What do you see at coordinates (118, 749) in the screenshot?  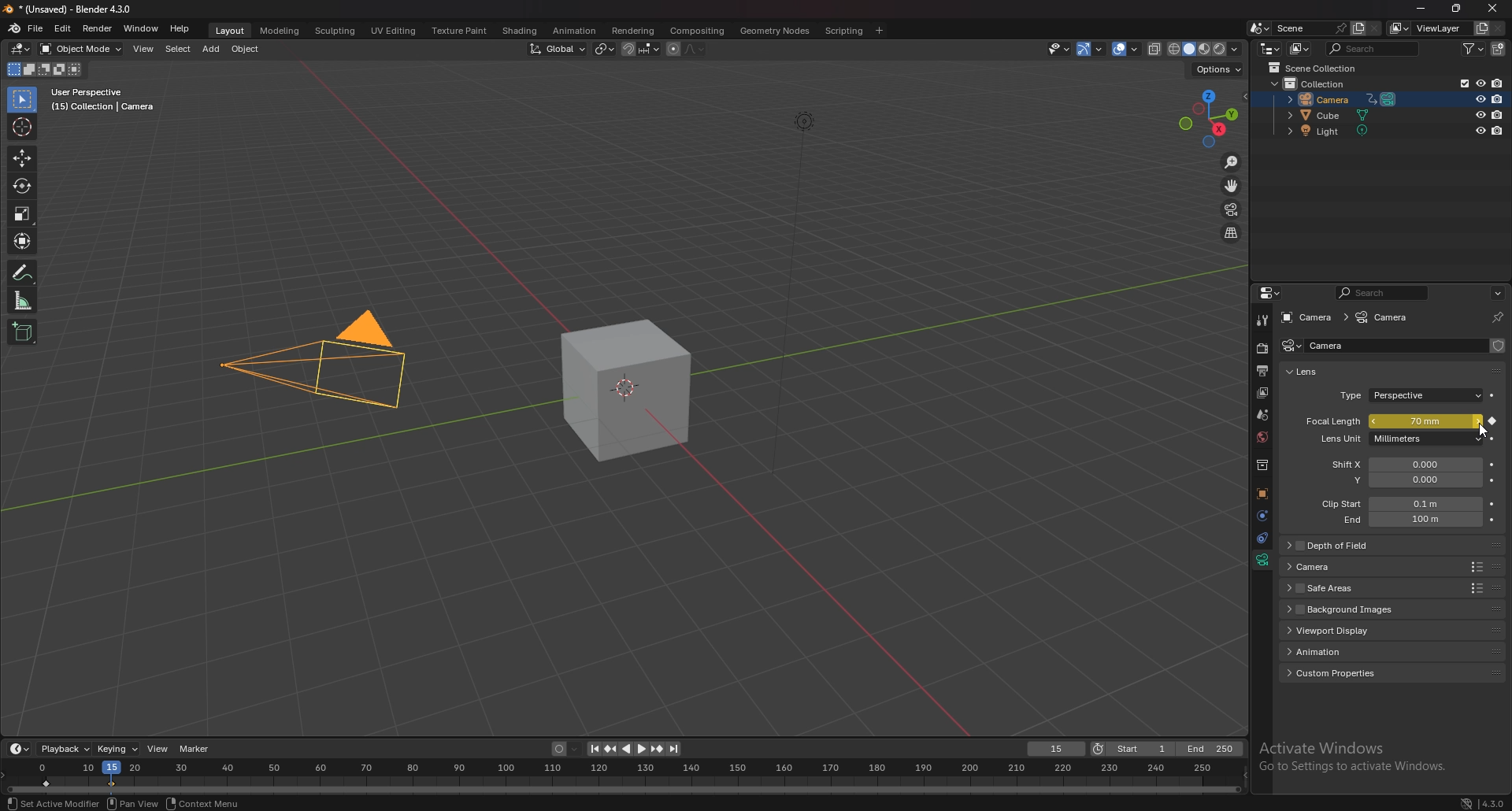 I see `keying` at bounding box center [118, 749].